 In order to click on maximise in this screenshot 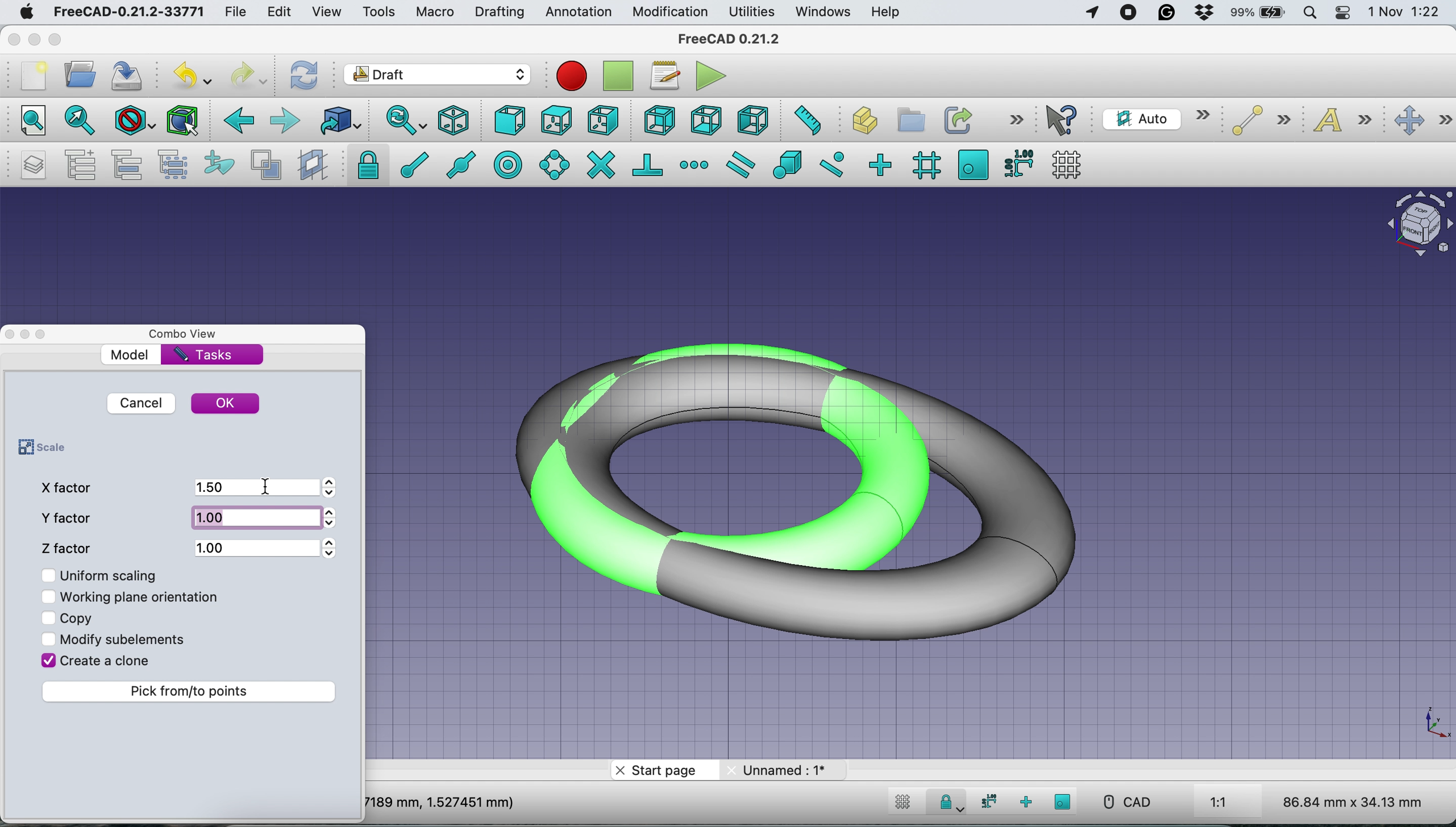, I will do `click(57, 40)`.